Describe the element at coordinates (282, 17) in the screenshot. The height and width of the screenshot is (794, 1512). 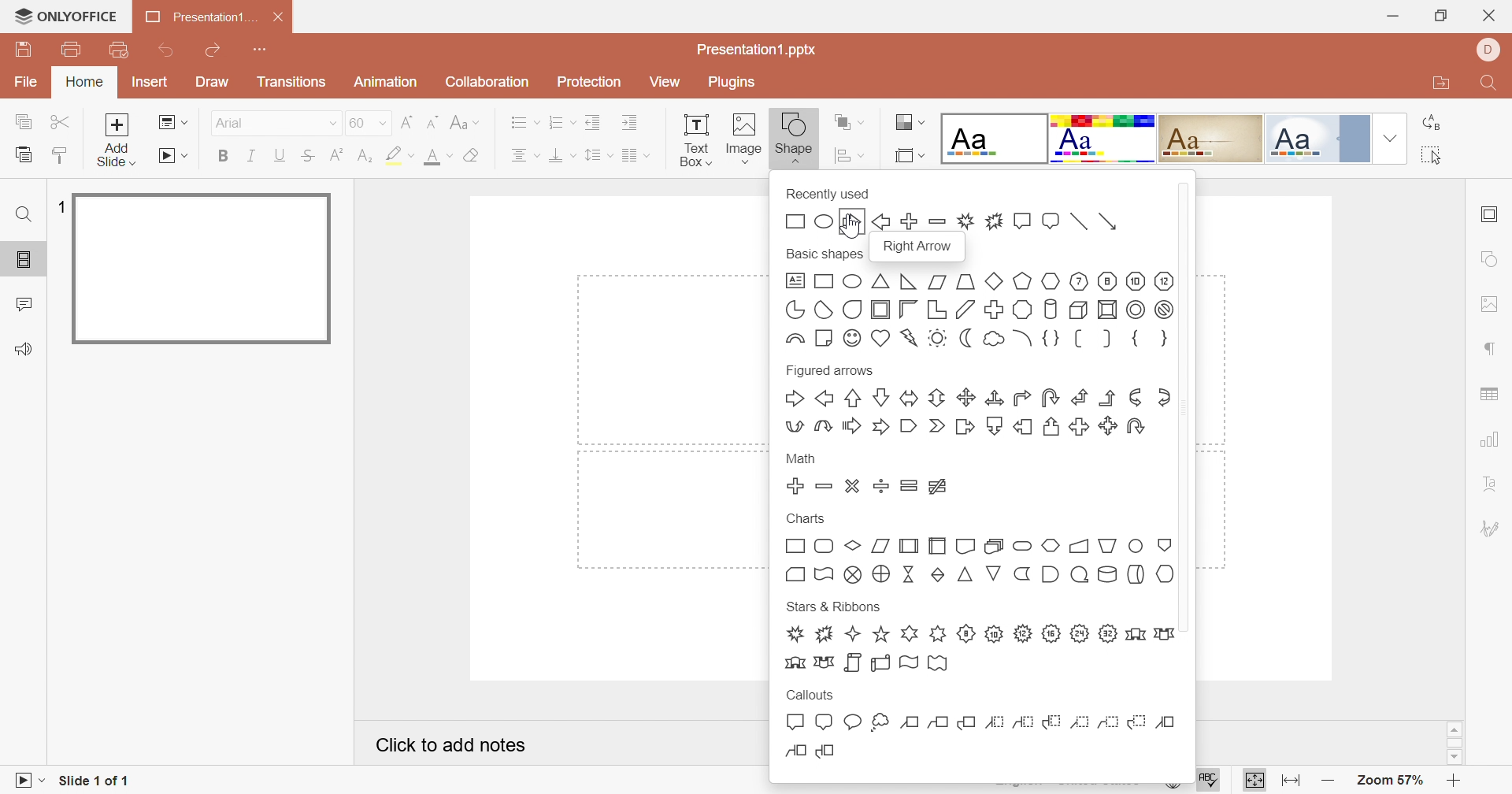
I see `Close` at that location.